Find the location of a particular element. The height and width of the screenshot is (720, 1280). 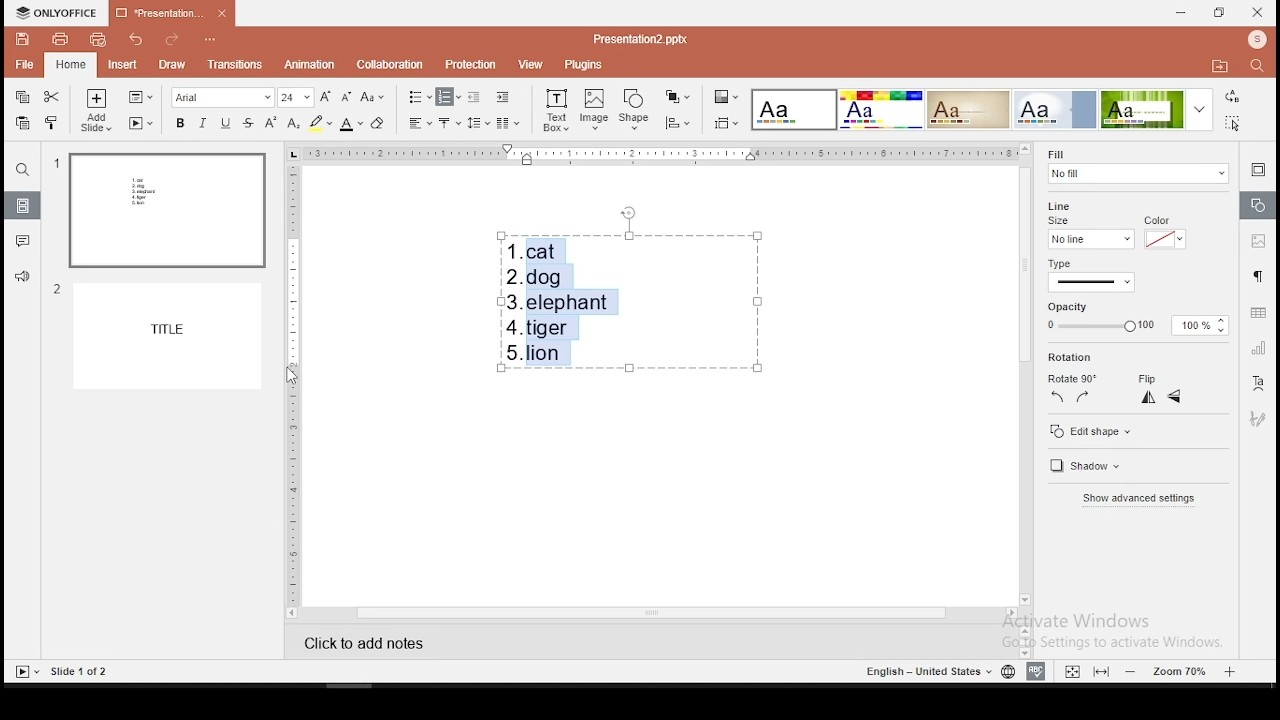

find is located at coordinates (24, 172).